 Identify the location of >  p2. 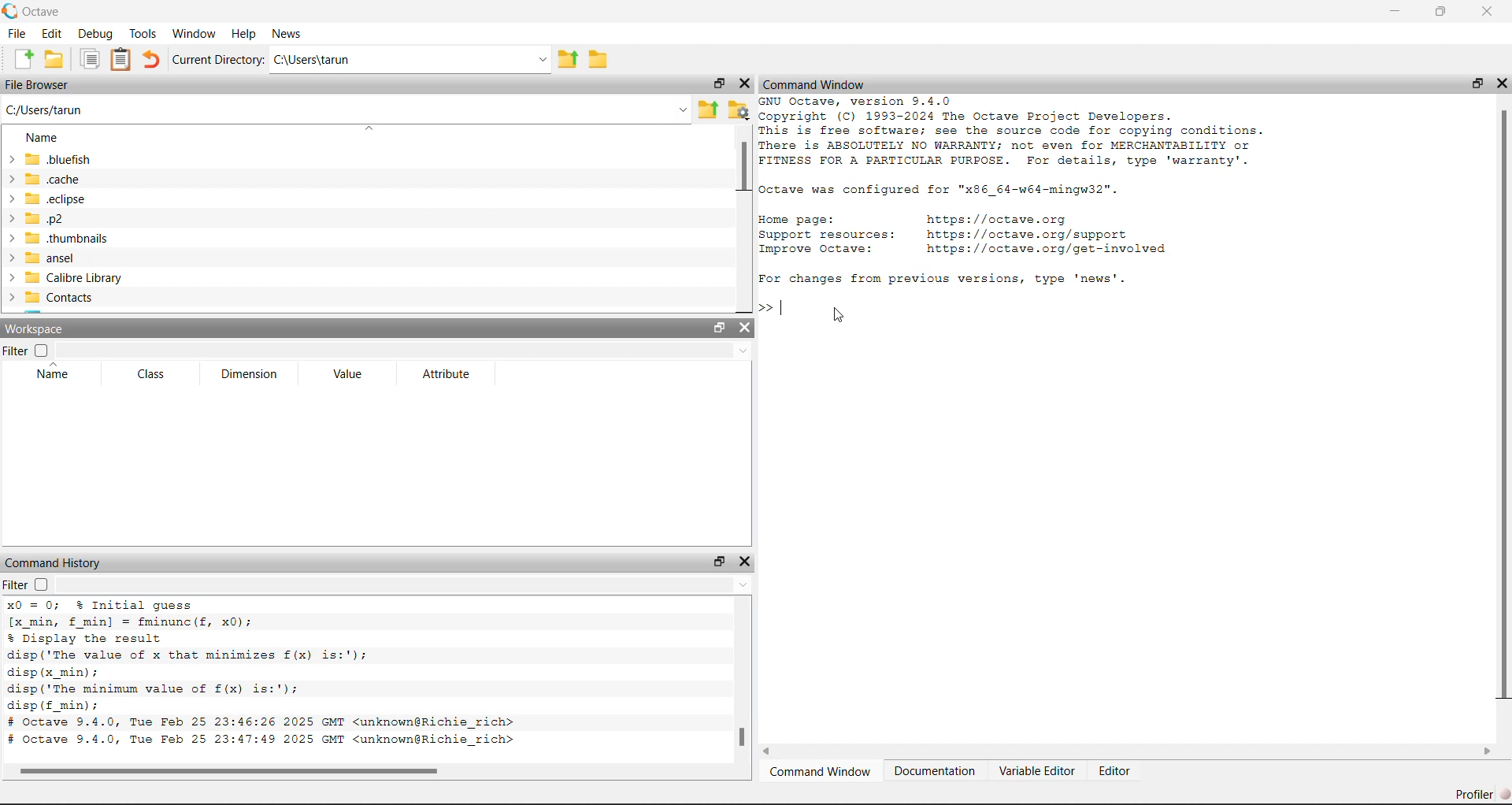
(46, 218).